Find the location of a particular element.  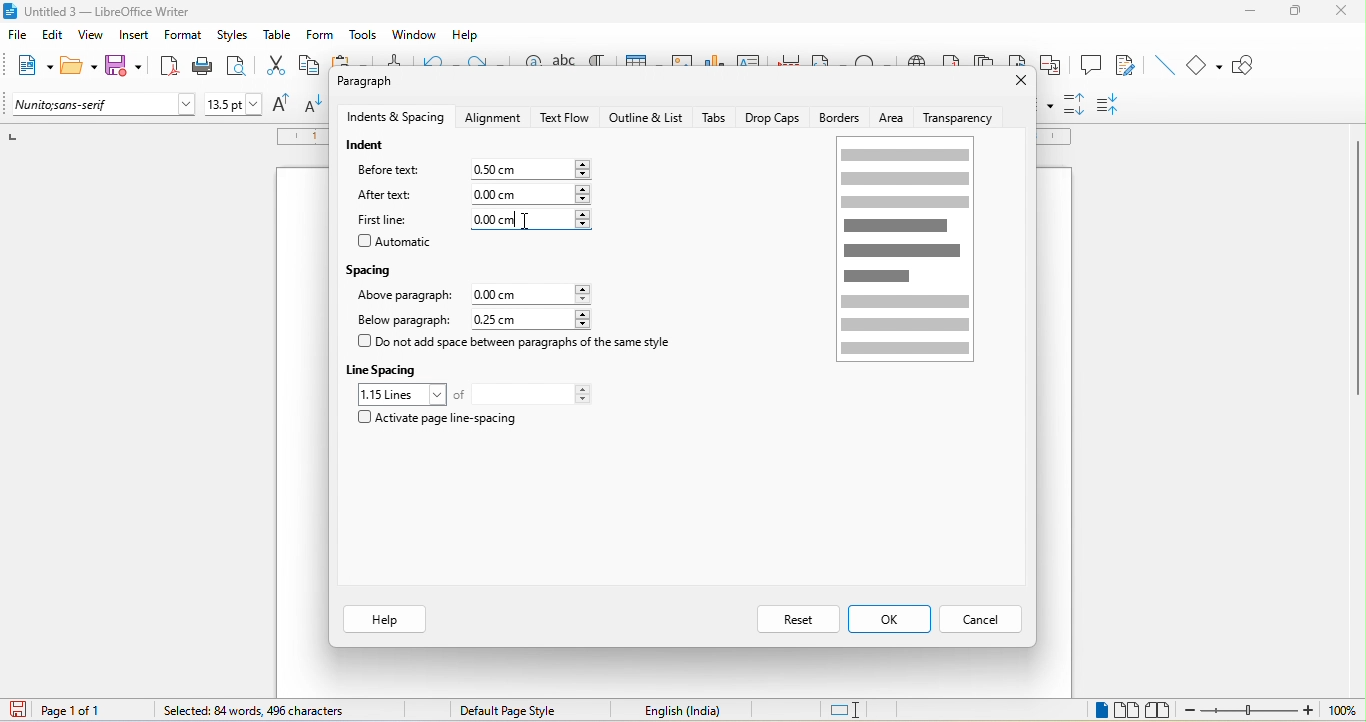

edit is located at coordinates (54, 38).